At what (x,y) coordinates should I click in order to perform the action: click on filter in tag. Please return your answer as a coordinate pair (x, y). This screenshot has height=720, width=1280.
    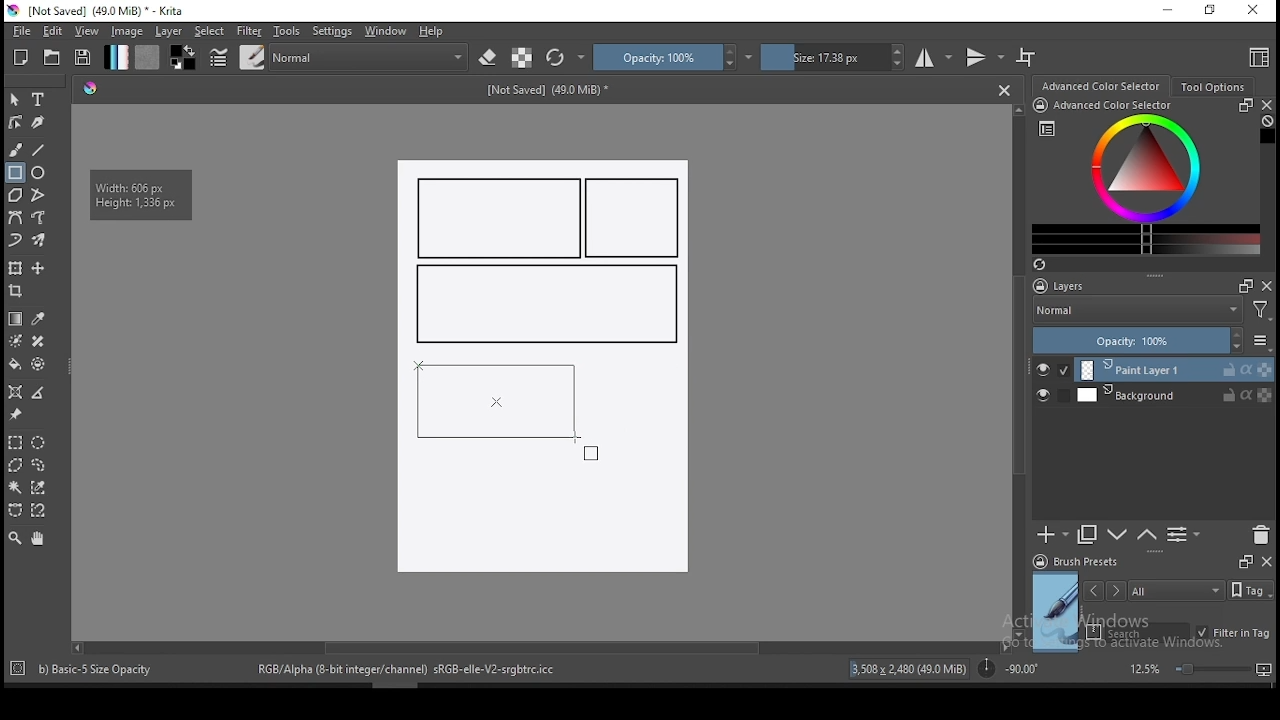
    Looking at the image, I should click on (1233, 634).